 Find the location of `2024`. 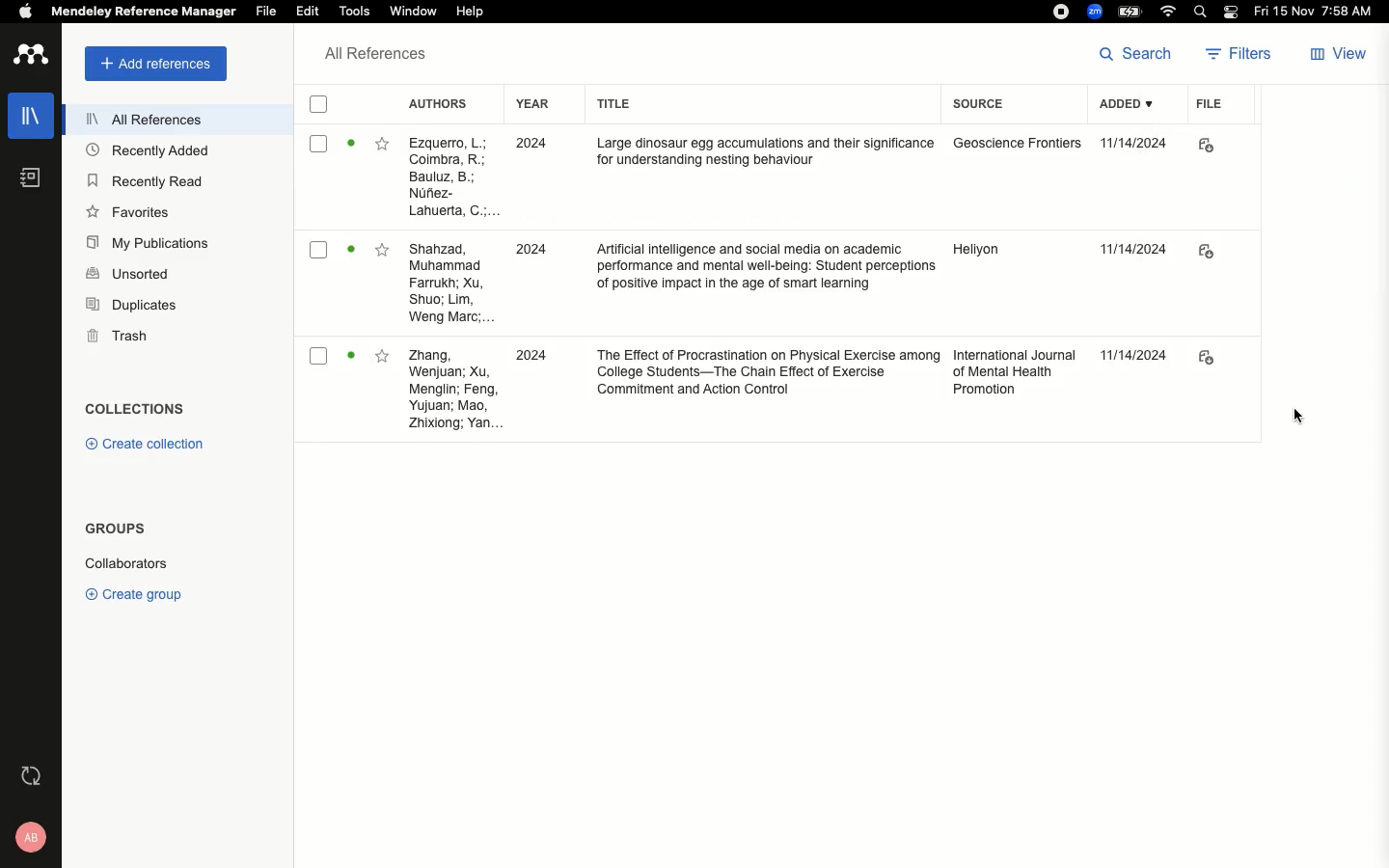

2024 is located at coordinates (531, 248).